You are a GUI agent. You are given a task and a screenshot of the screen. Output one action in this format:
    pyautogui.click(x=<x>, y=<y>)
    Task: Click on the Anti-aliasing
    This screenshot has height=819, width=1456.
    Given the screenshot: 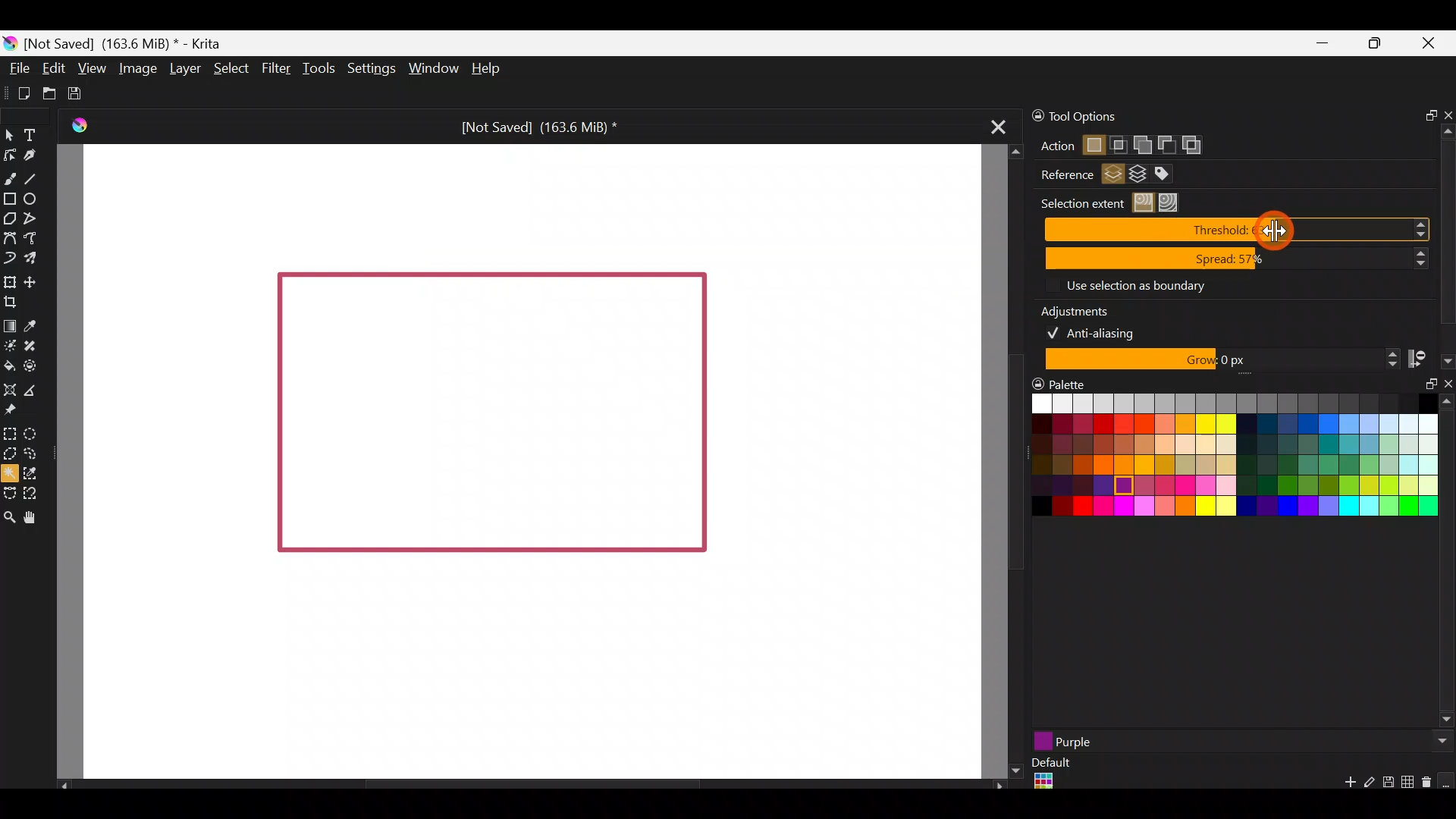 What is the action you would take?
    pyautogui.click(x=1101, y=331)
    